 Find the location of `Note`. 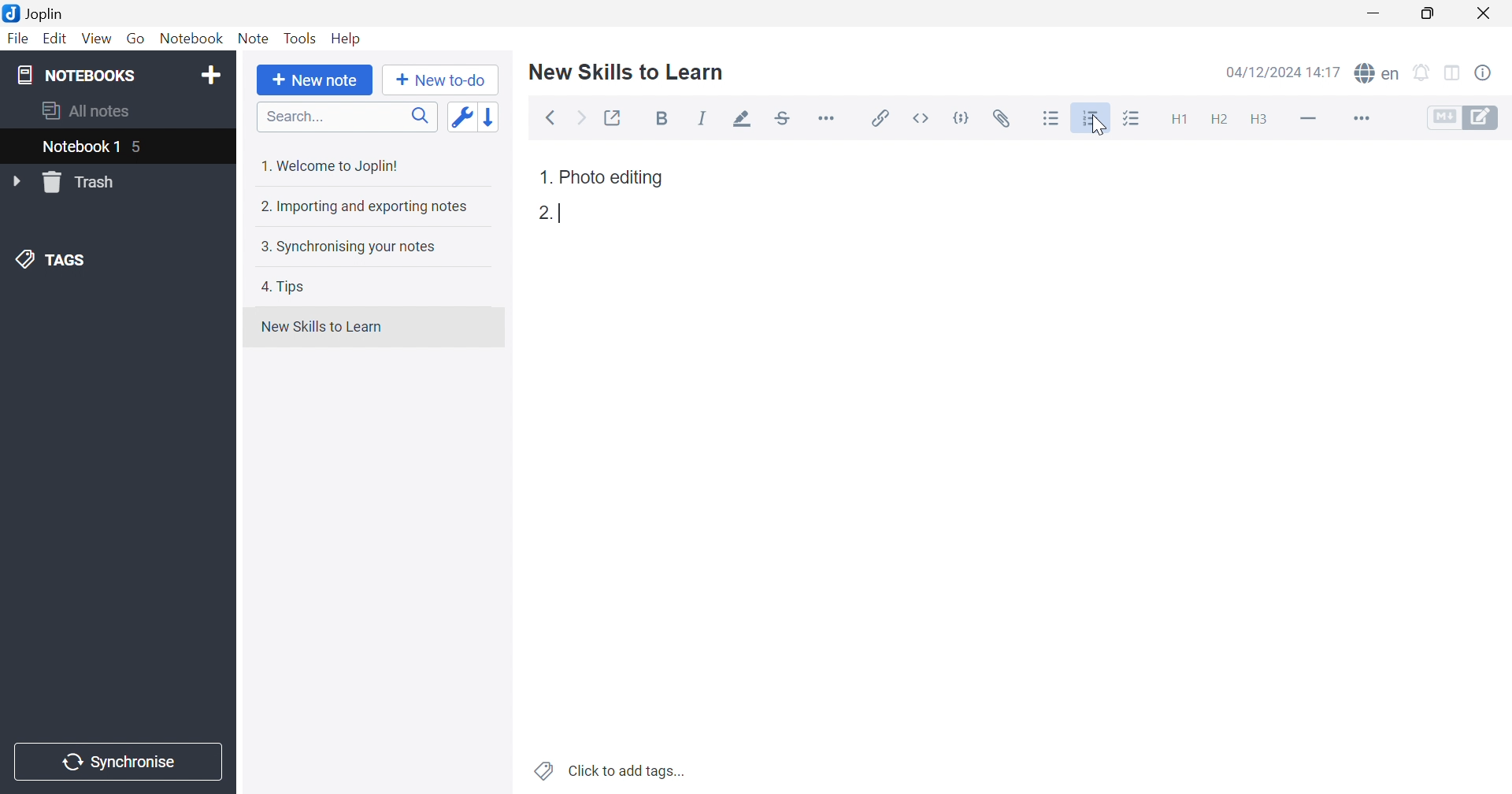

Note is located at coordinates (254, 39).